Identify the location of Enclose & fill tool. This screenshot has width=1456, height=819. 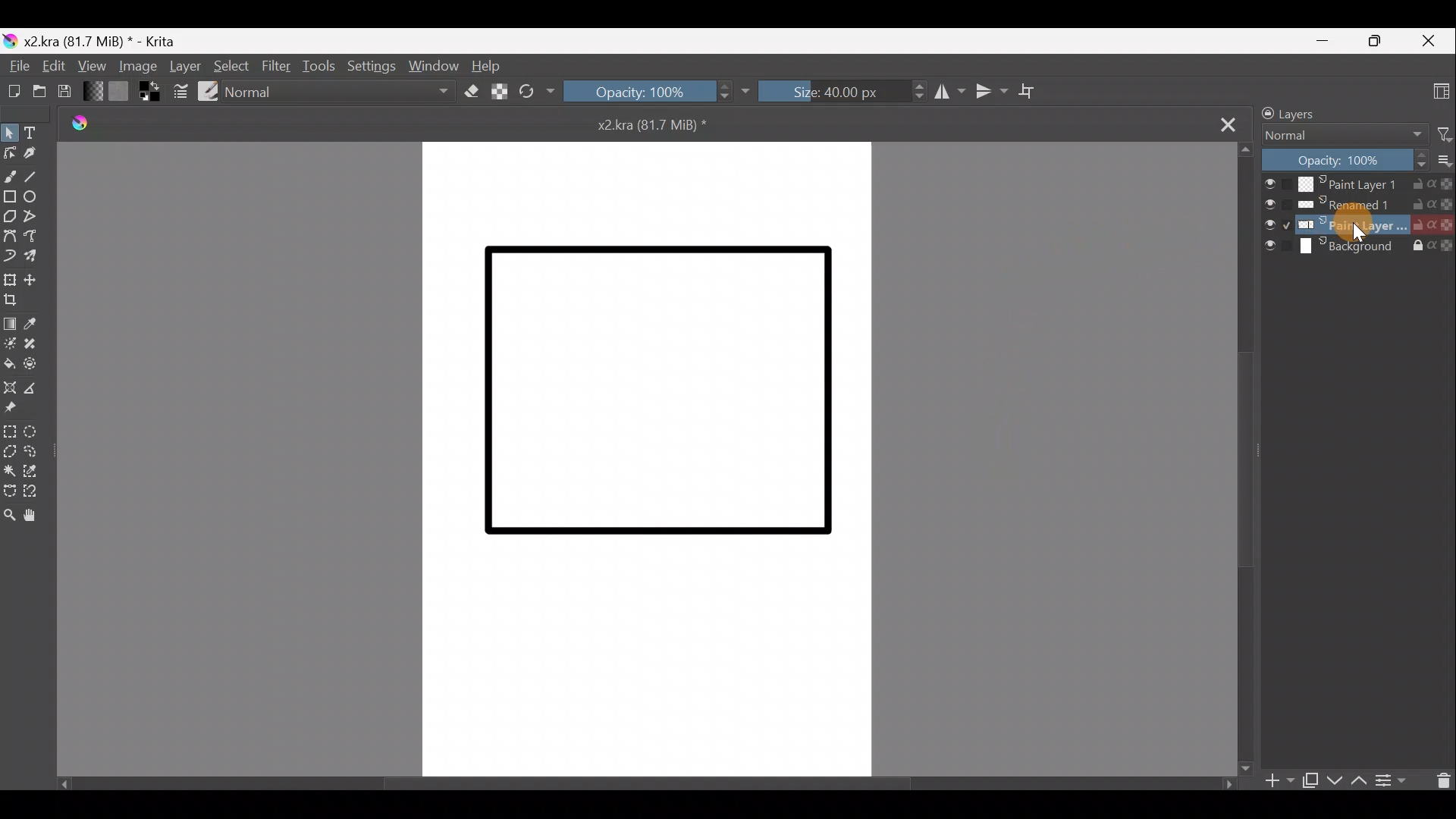
(38, 366).